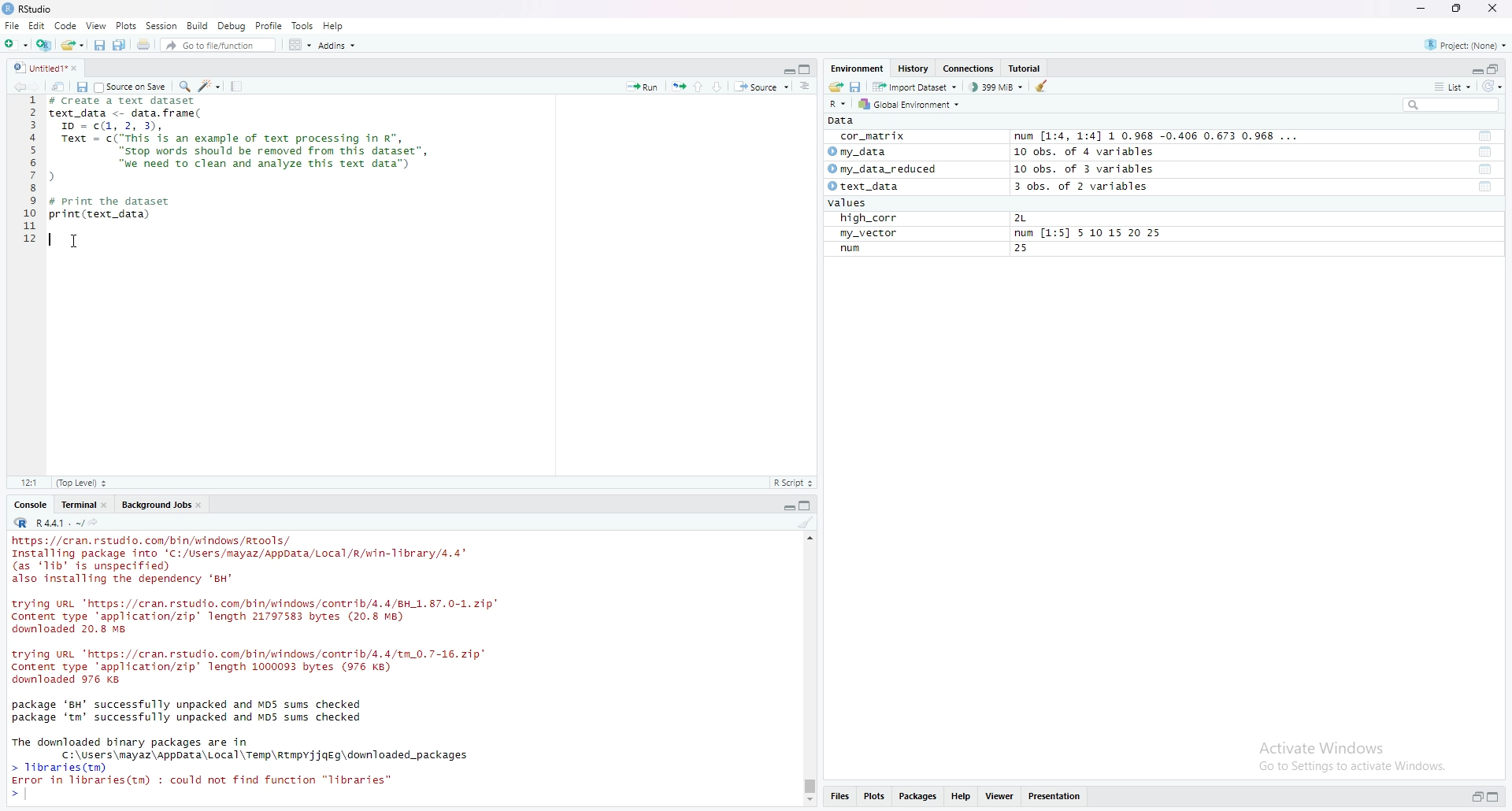 The image size is (1512, 811). I want to click on create a project, so click(43, 46).